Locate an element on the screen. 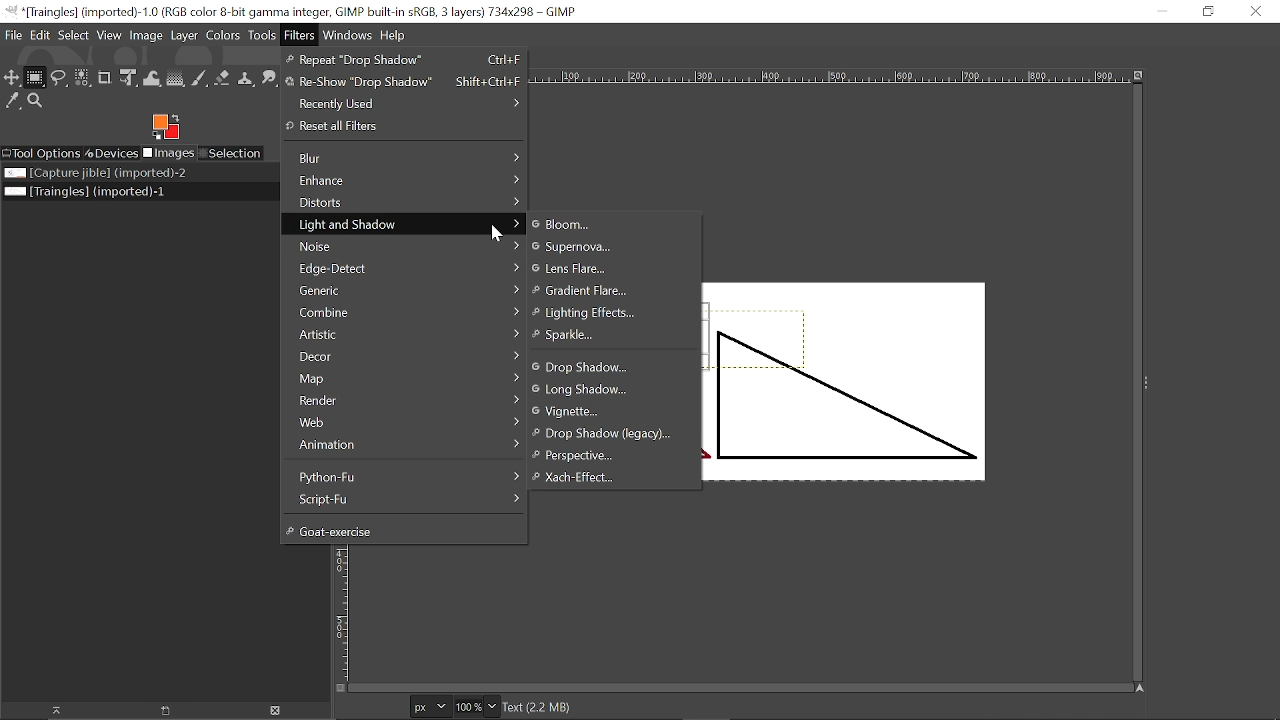 The height and width of the screenshot is (720, 1280). Web is located at coordinates (403, 423).